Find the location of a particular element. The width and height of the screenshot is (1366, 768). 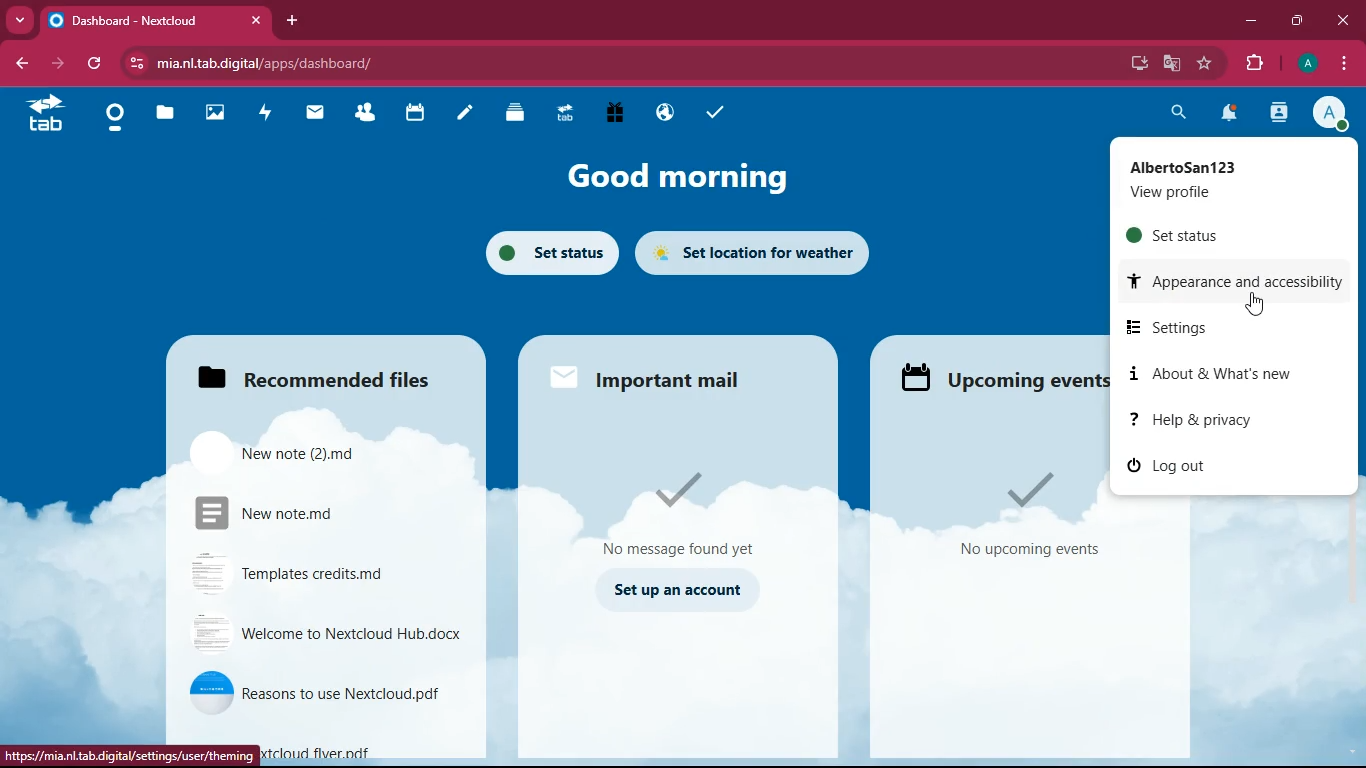

calendar is located at coordinates (417, 112).